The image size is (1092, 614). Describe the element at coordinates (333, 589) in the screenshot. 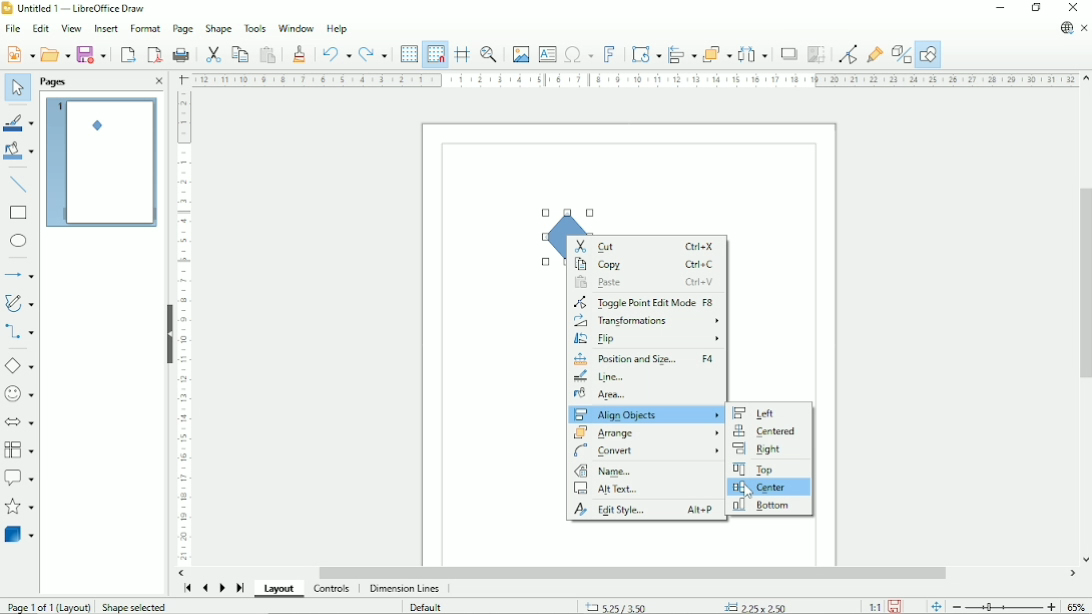

I see `Controls` at that location.